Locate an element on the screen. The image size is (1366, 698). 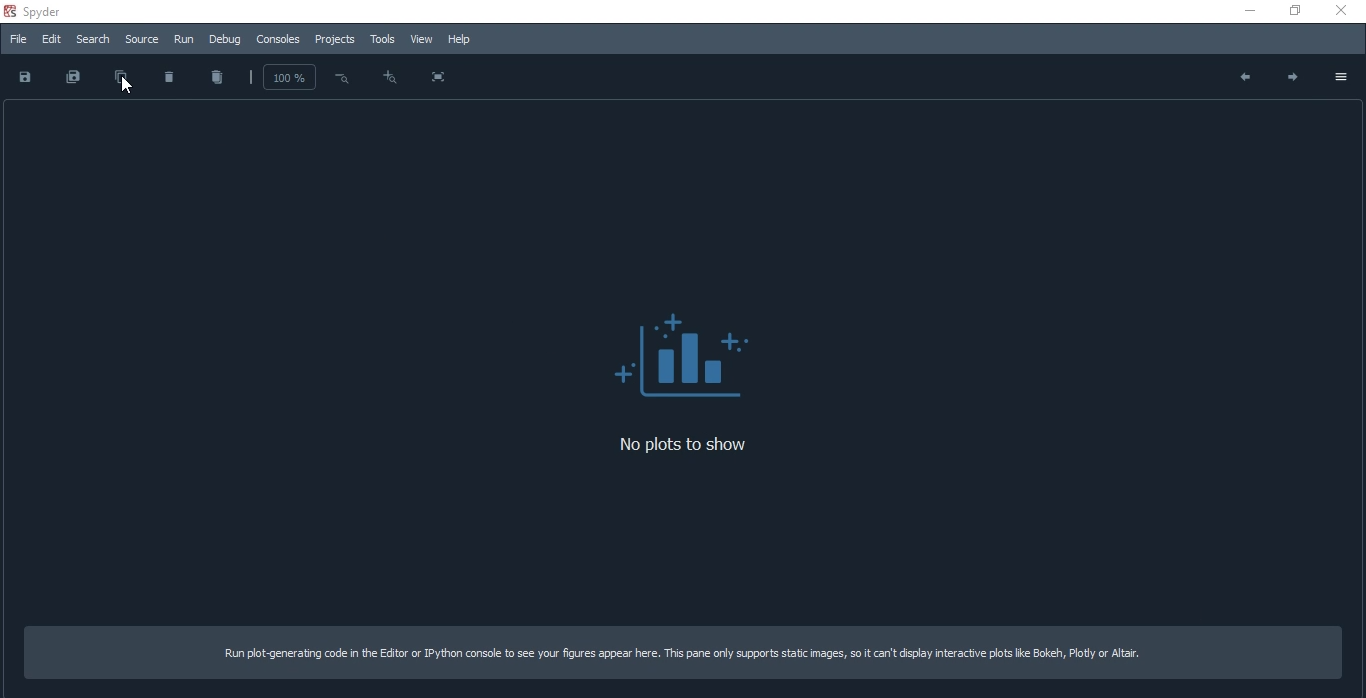
save is located at coordinates (27, 79).